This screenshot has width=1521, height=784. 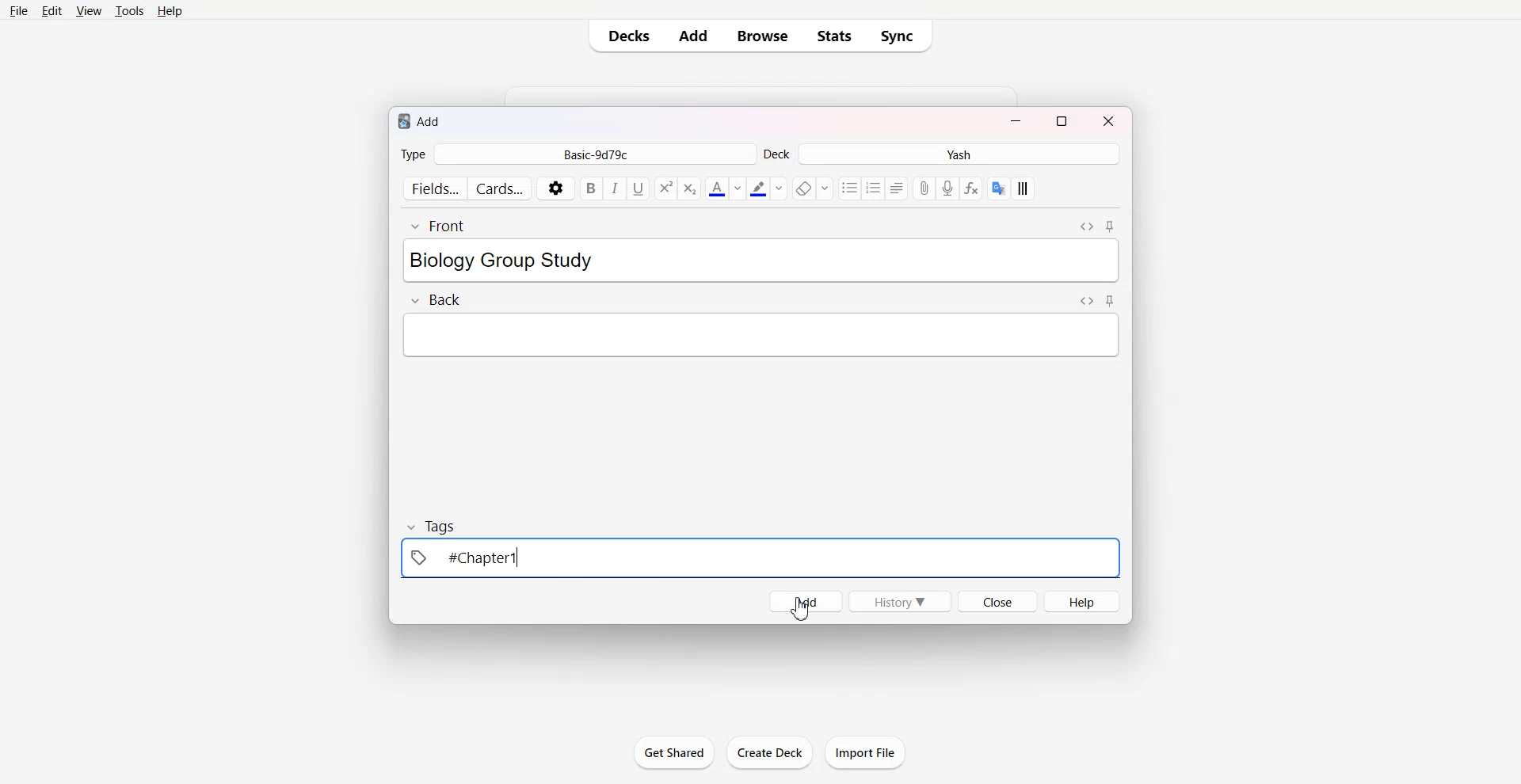 I want to click on Remove Format, so click(x=811, y=188).